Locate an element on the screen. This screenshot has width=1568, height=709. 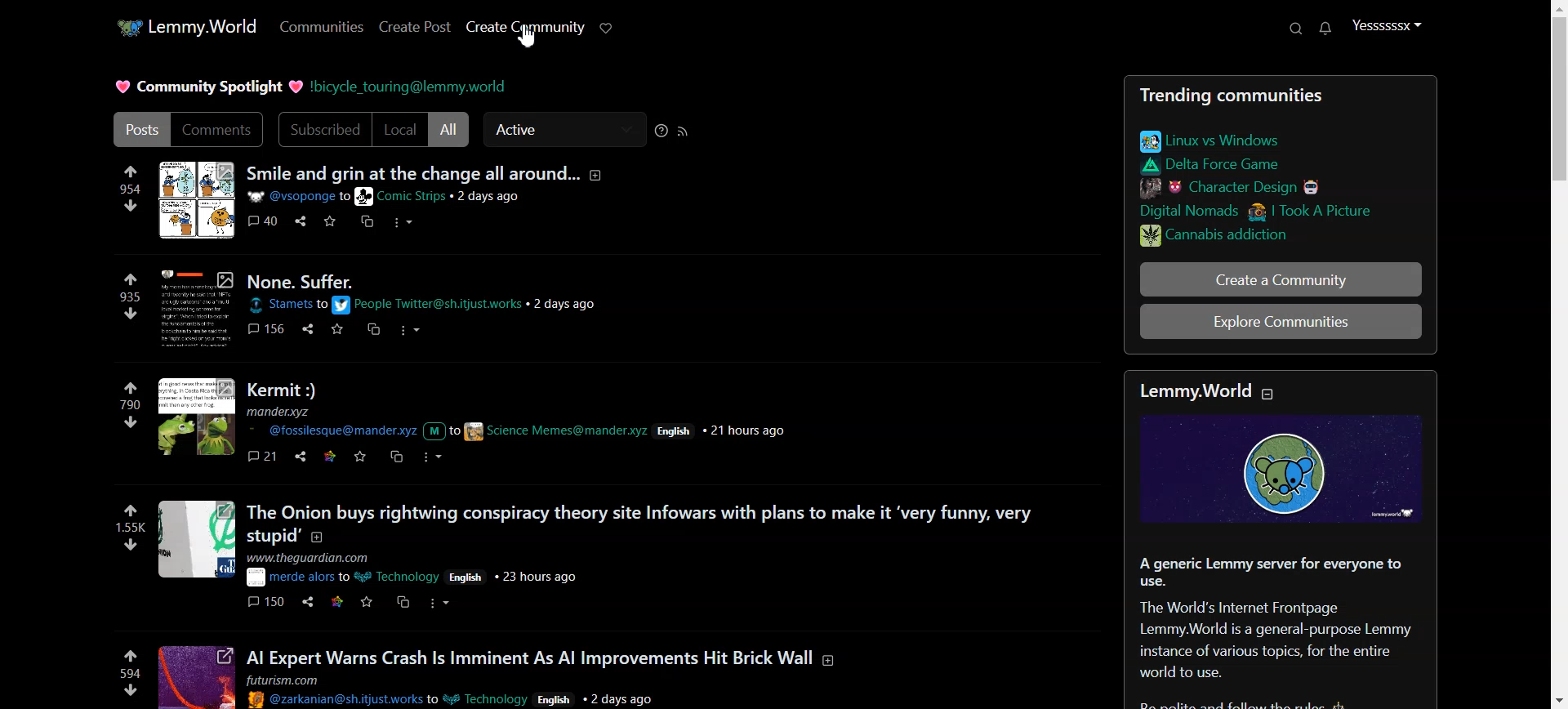
Support Lemmy is located at coordinates (608, 27).